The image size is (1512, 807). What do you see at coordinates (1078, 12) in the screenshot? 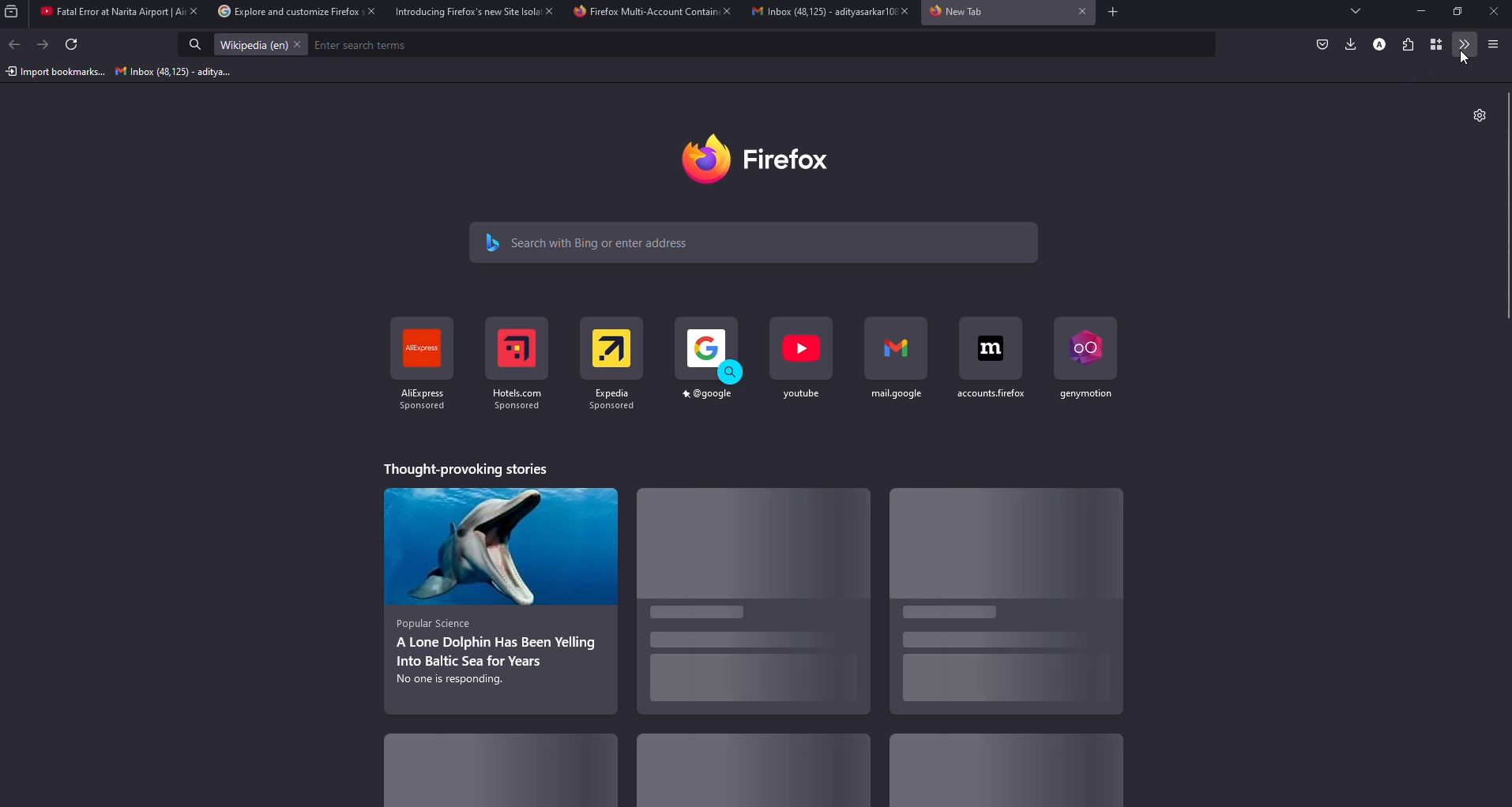
I see `close` at bounding box center [1078, 12].